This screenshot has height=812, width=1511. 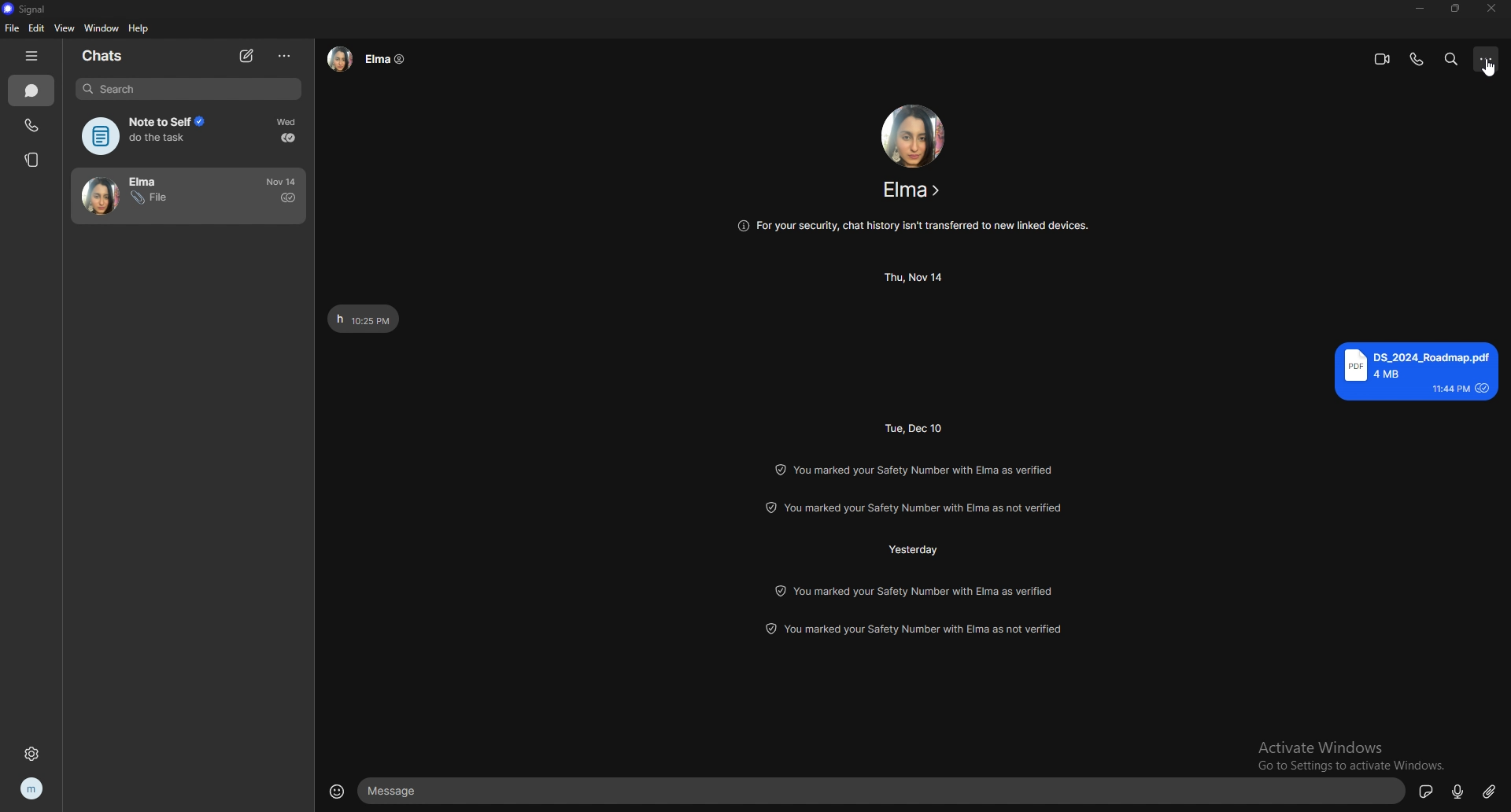 I want to click on time, so click(x=283, y=181).